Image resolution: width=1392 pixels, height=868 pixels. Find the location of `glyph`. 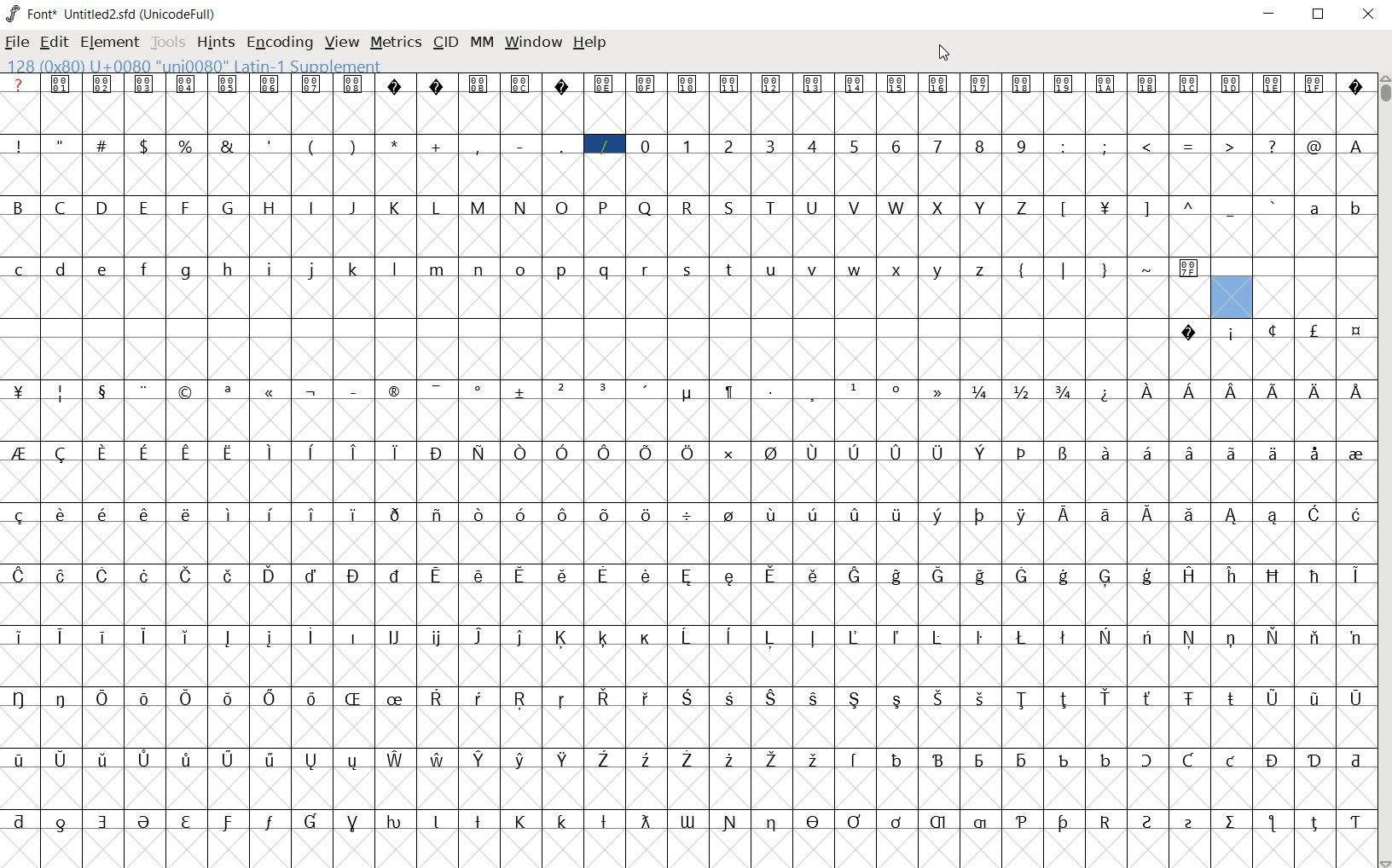

glyph is located at coordinates (813, 514).